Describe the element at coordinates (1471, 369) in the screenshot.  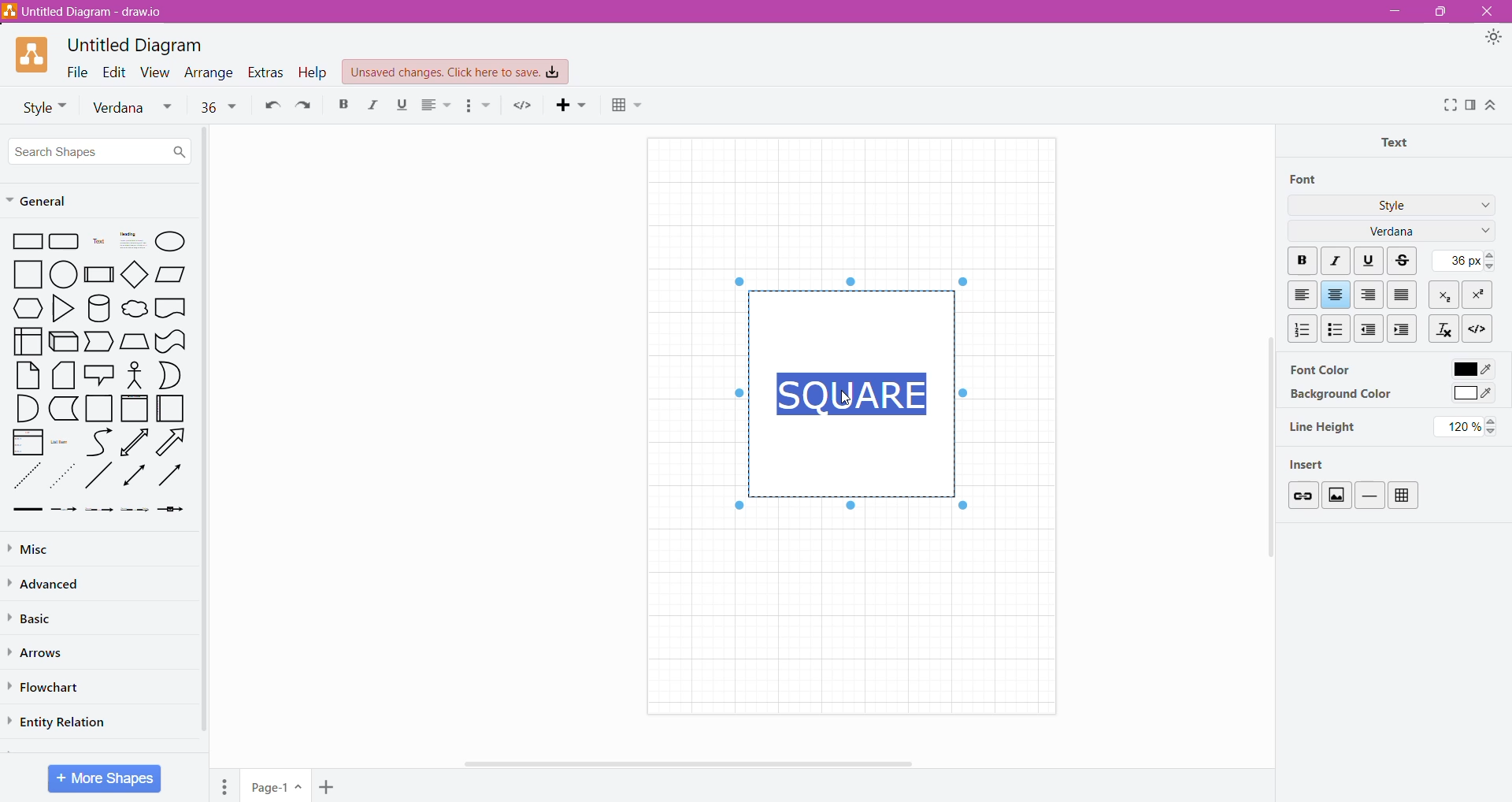
I see `Click to select Font Color` at that location.